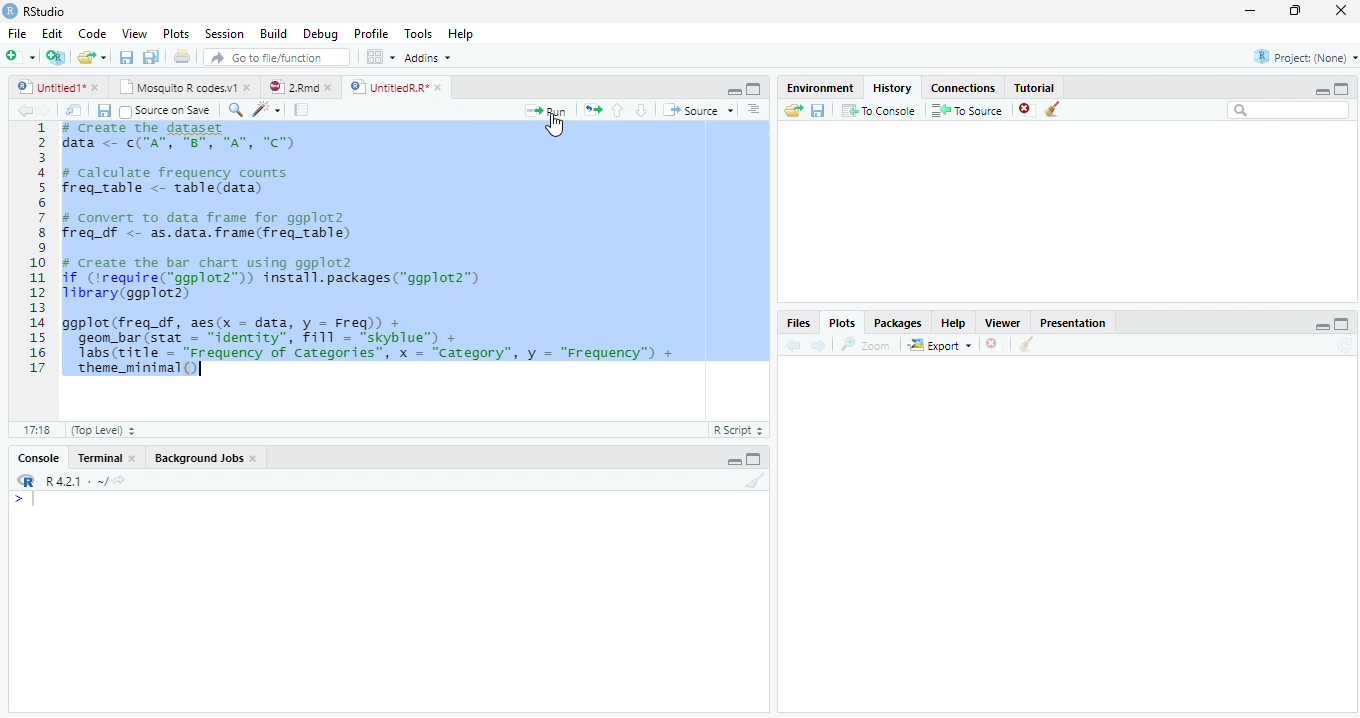 Image resolution: width=1360 pixels, height=718 pixels. Describe the element at coordinates (617, 109) in the screenshot. I see `Go to the previous section` at that location.